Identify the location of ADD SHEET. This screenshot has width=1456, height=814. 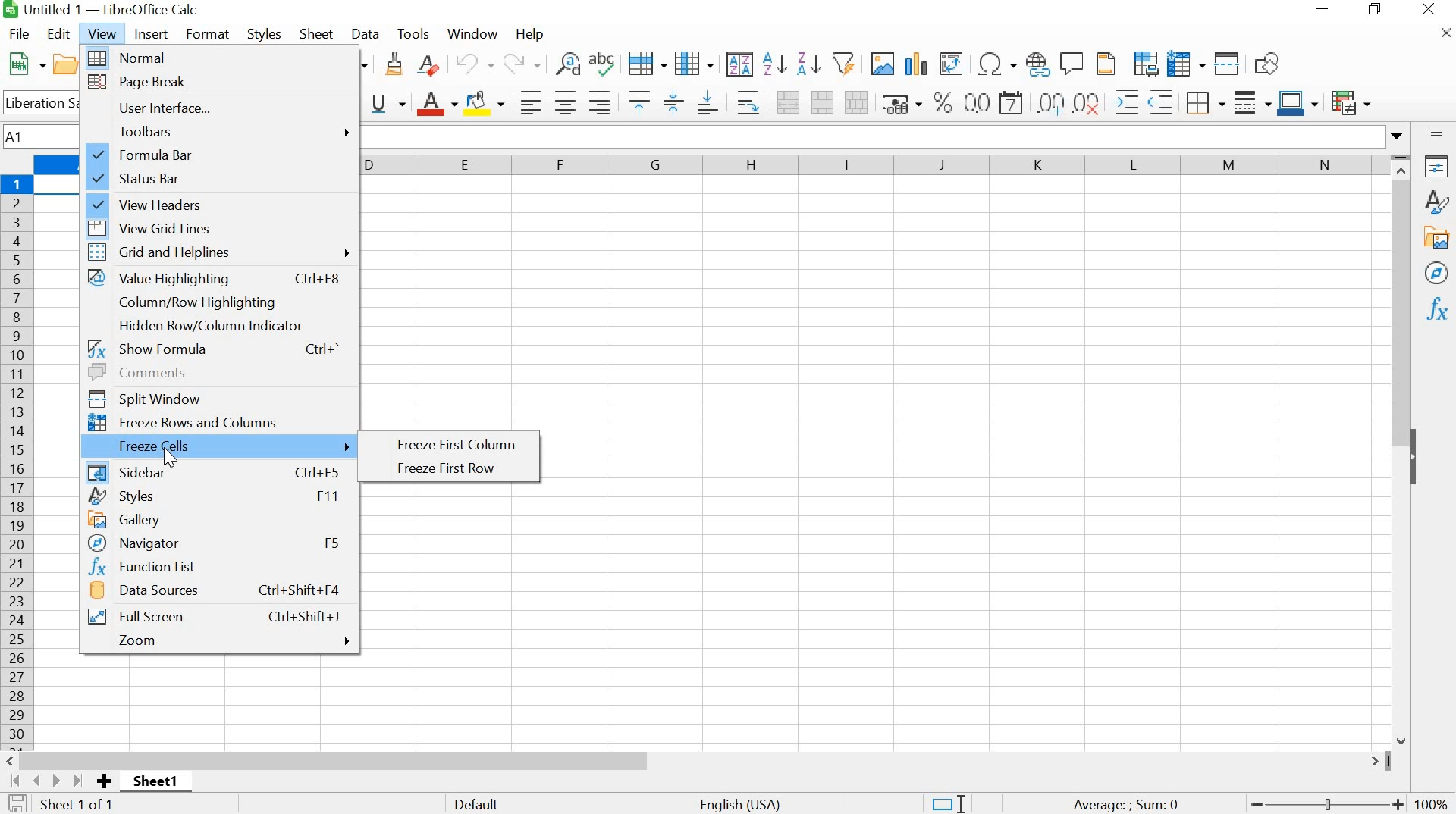
(105, 782).